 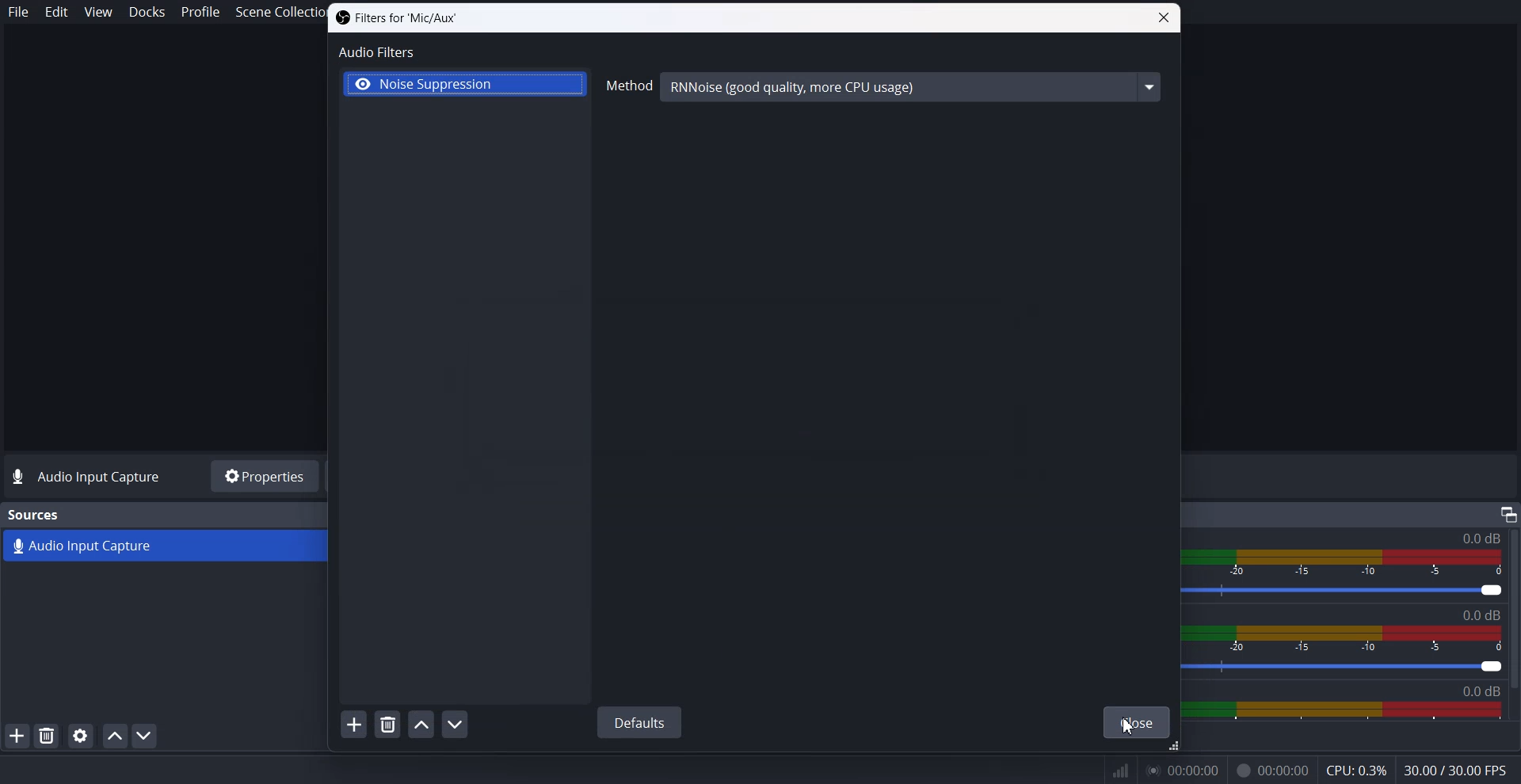 What do you see at coordinates (147, 13) in the screenshot?
I see `Docks` at bounding box center [147, 13].